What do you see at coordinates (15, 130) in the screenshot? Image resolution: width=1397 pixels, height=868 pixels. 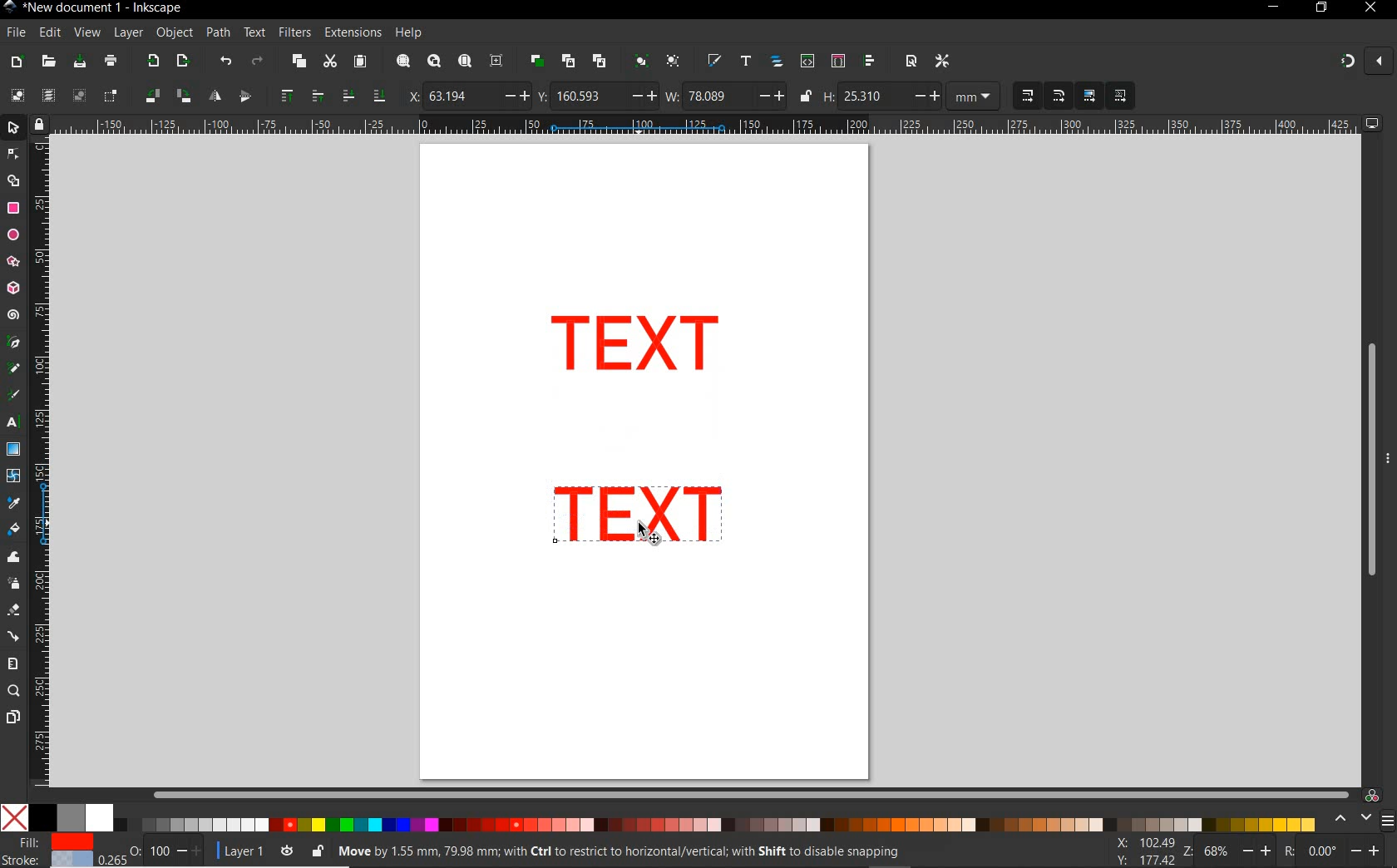 I see `selector tool` at bounding box center [15, 130].